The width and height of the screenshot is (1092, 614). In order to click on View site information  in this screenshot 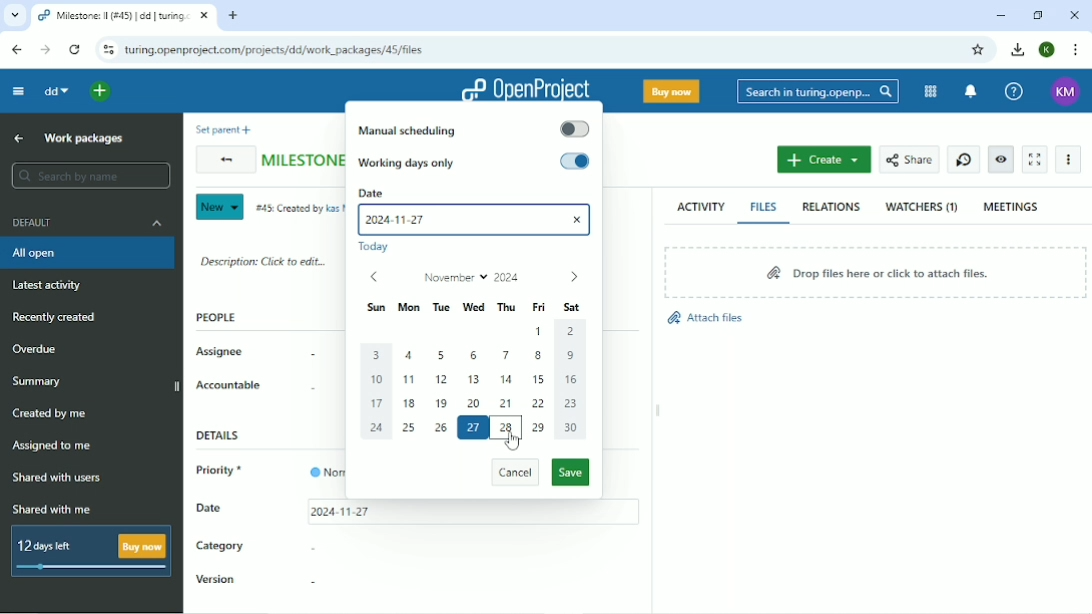, I will do `click(105, 49)`.